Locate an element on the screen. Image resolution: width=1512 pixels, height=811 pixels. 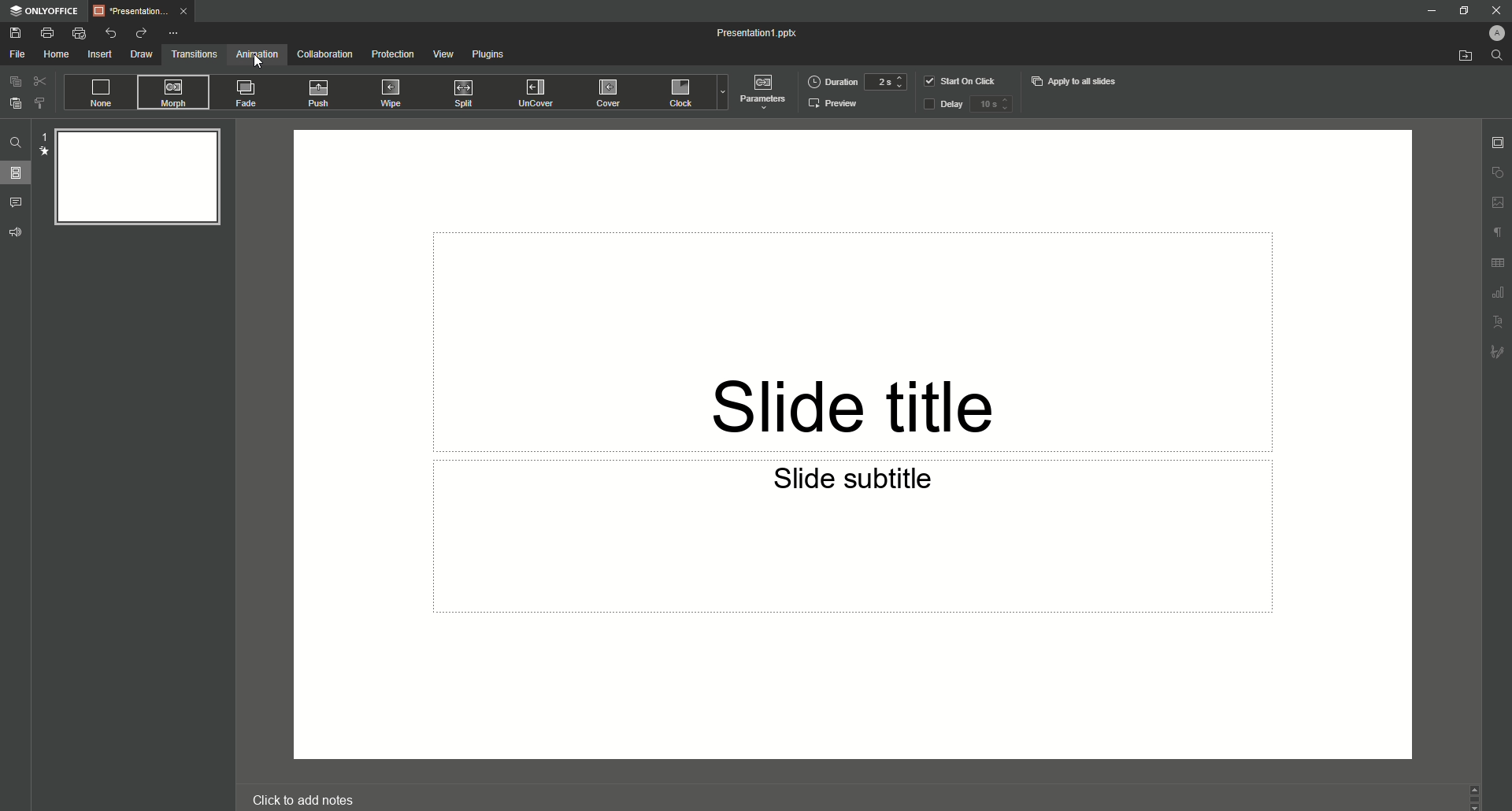
Copy is located at coordinates (14, 83).